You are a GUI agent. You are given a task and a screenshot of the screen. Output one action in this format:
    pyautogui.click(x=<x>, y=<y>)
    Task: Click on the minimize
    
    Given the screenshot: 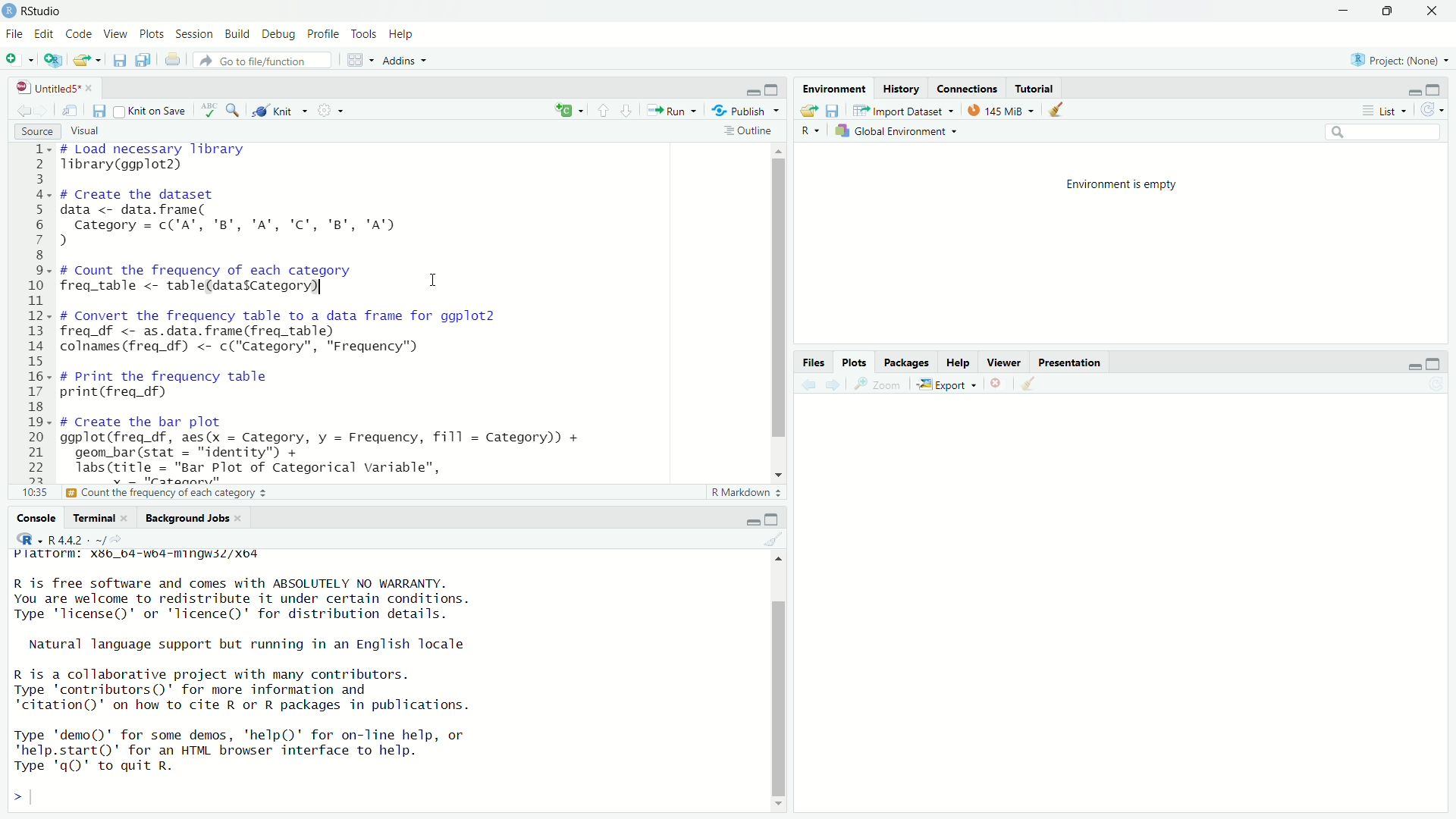 What is the action you would take?
    pyautogui.click(x=1413, y=368)
    